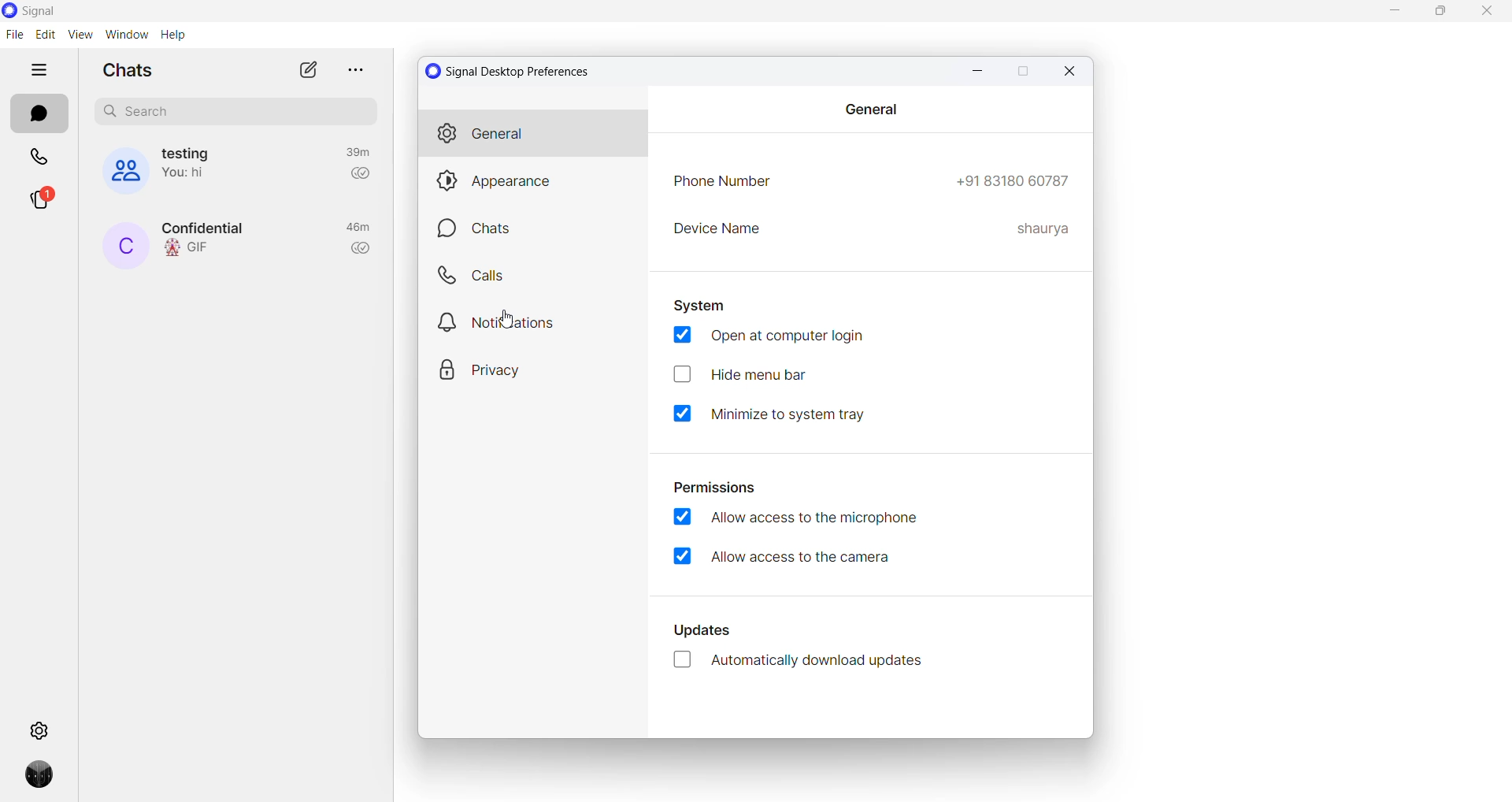 This screenshot has height=802, width=1512. Describe the element at coordinates (1067, 70) in the screenshot. I see `close` at that location.